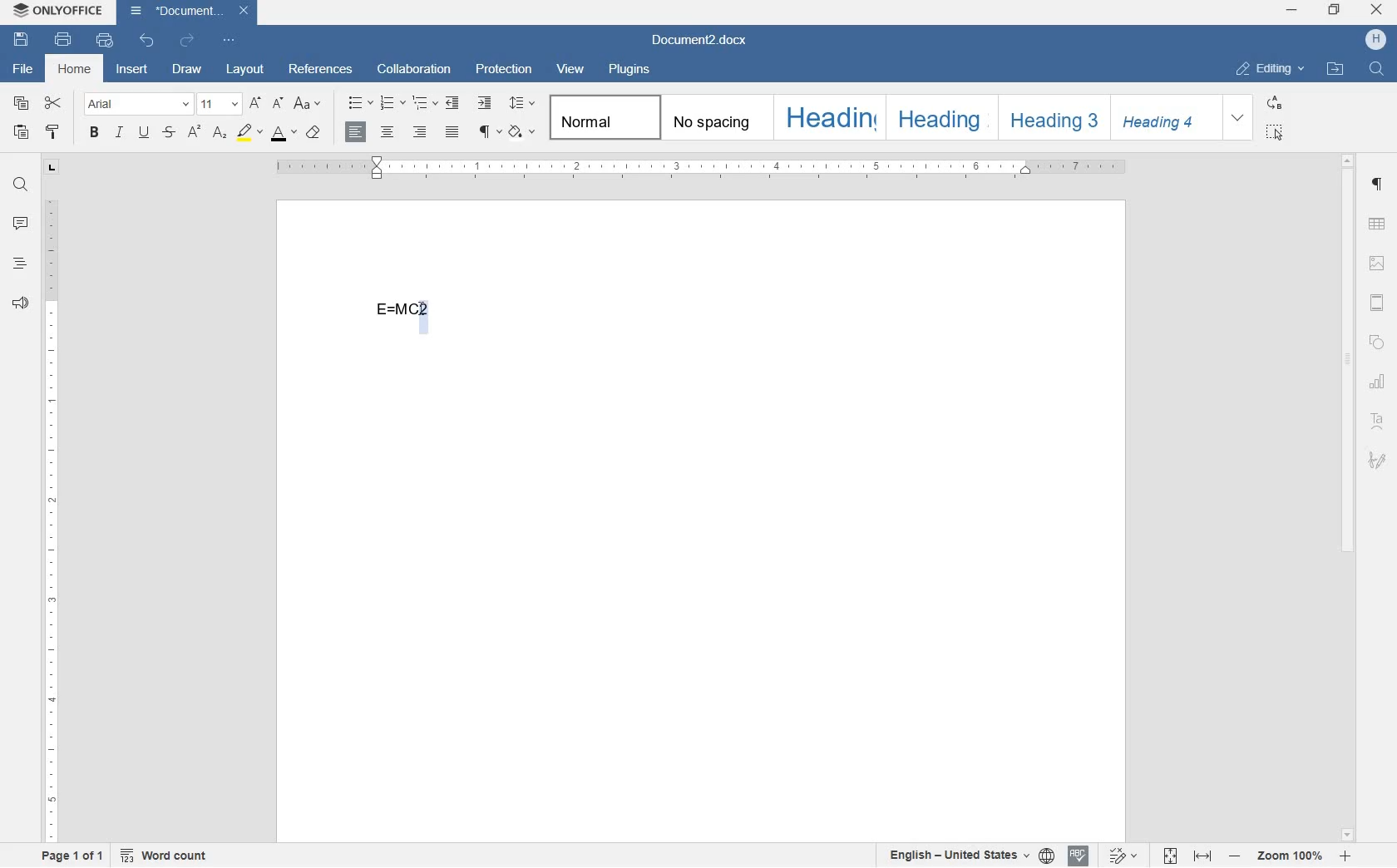 The width and height of the screenshot is (1397, 868). I want to click on cursor, so click(429, 310).